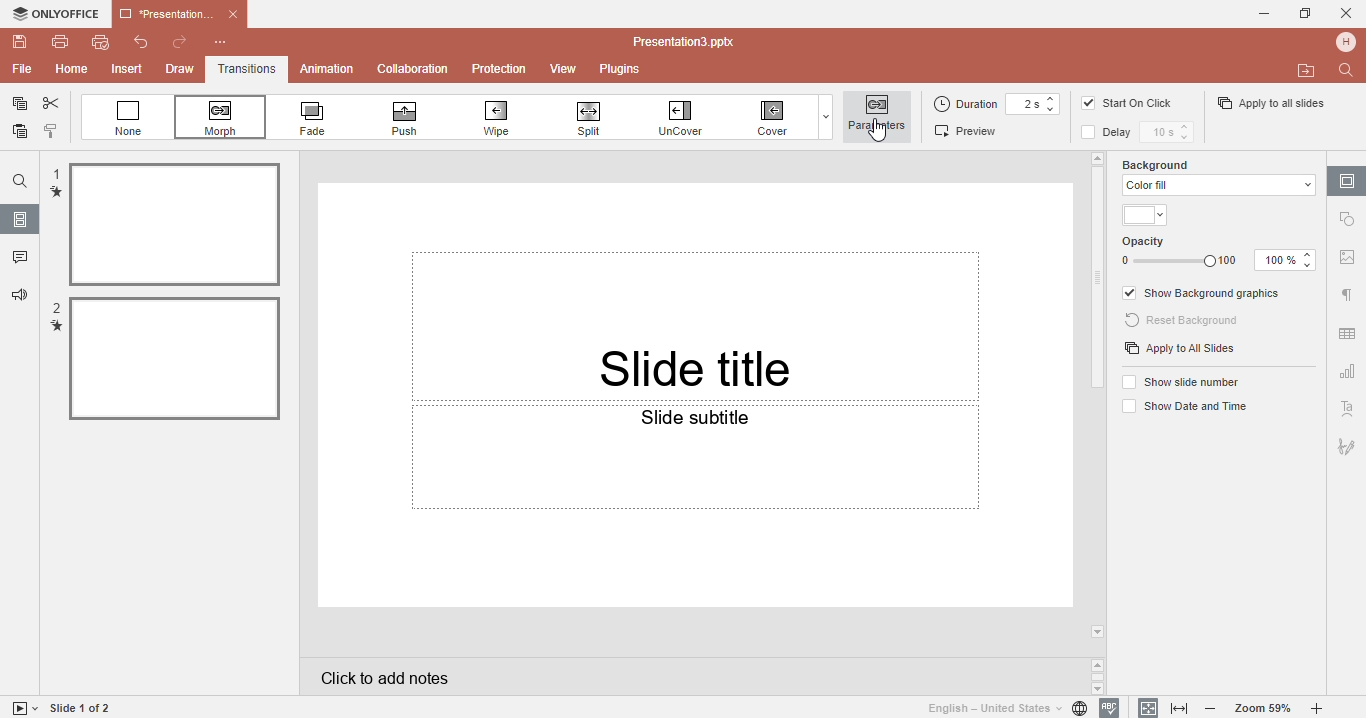 The height and width of the screenshot is (718, 1366). What do you see at coordinates (1258, 13) in the screenshot?
I see `Minimise` at bounding box center [1258, 13].